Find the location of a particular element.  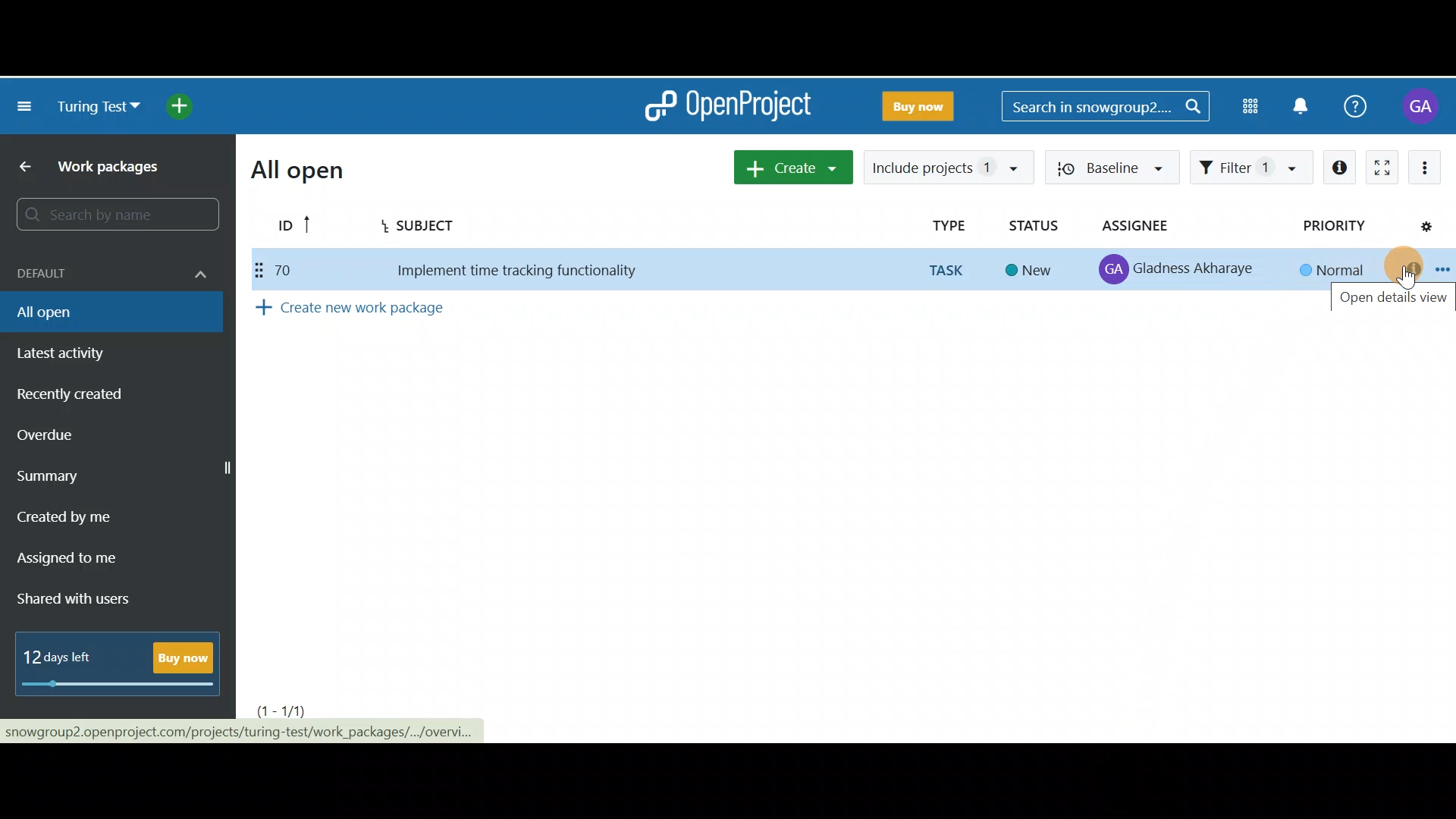

Help is located at coordinates (1352, 104).